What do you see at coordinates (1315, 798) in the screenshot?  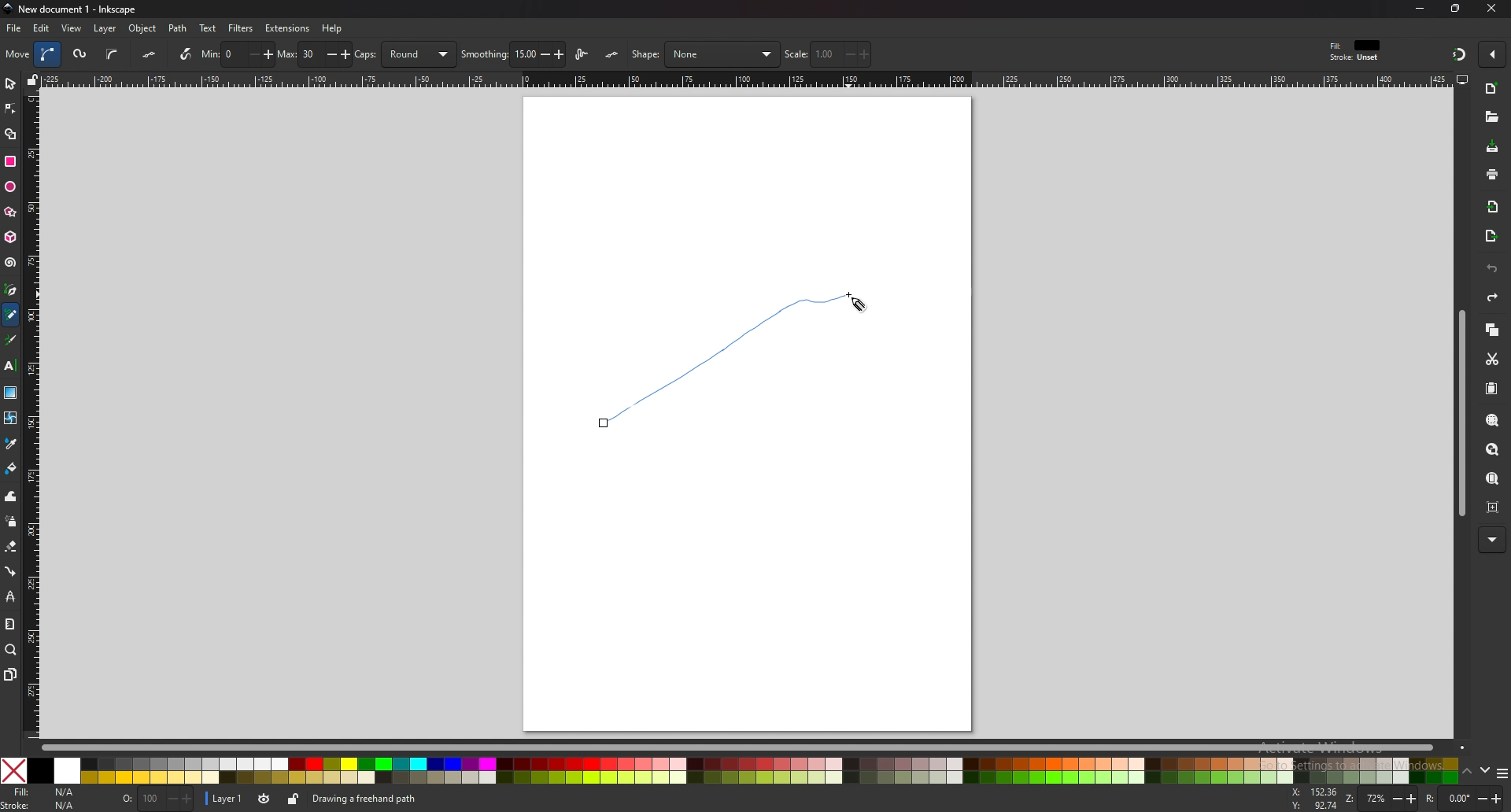 I see `cursor coordinates` at bounding box center [1315, 798].